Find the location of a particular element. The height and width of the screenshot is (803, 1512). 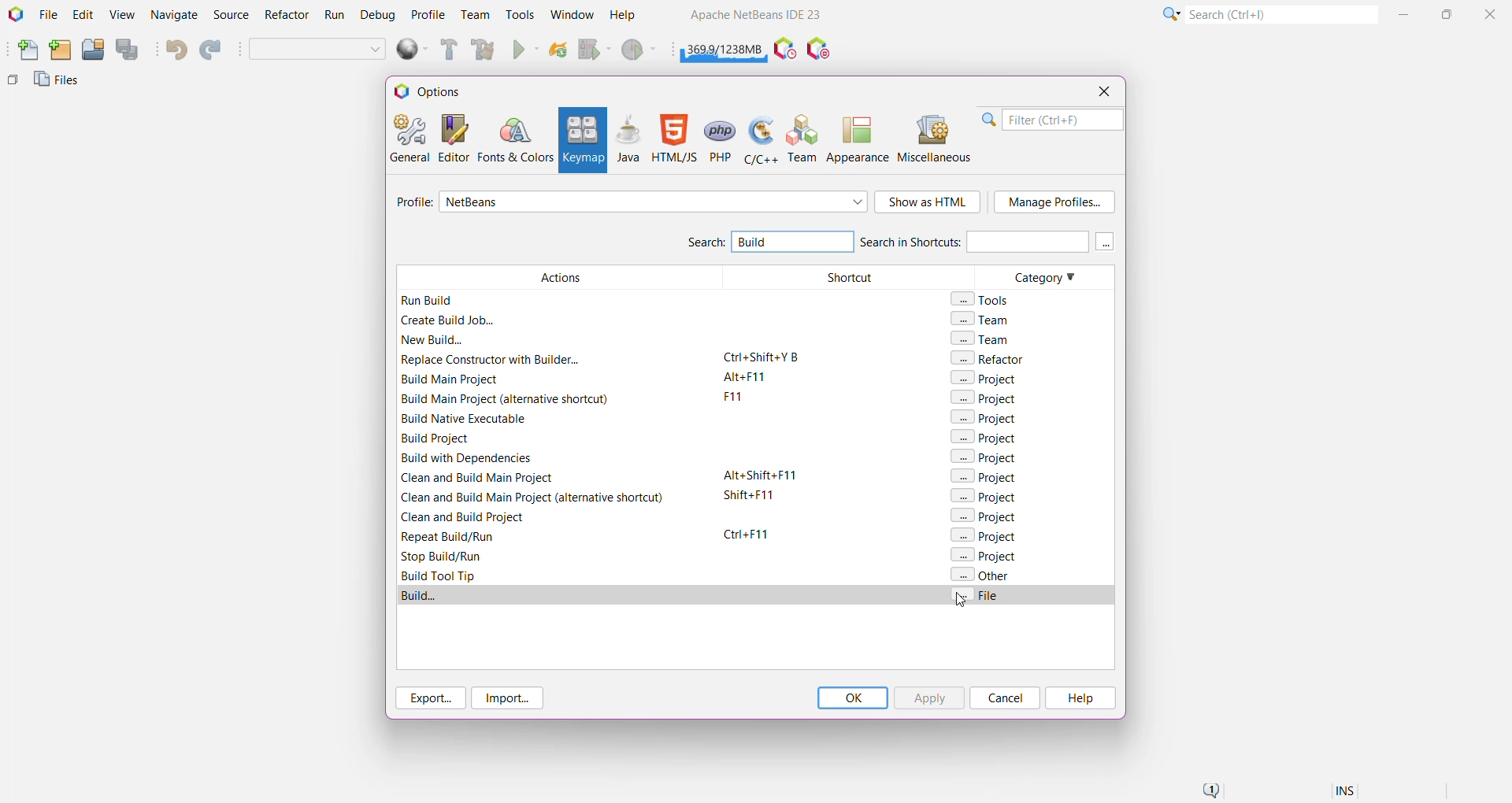

Import is located at coordinates (510, 698).